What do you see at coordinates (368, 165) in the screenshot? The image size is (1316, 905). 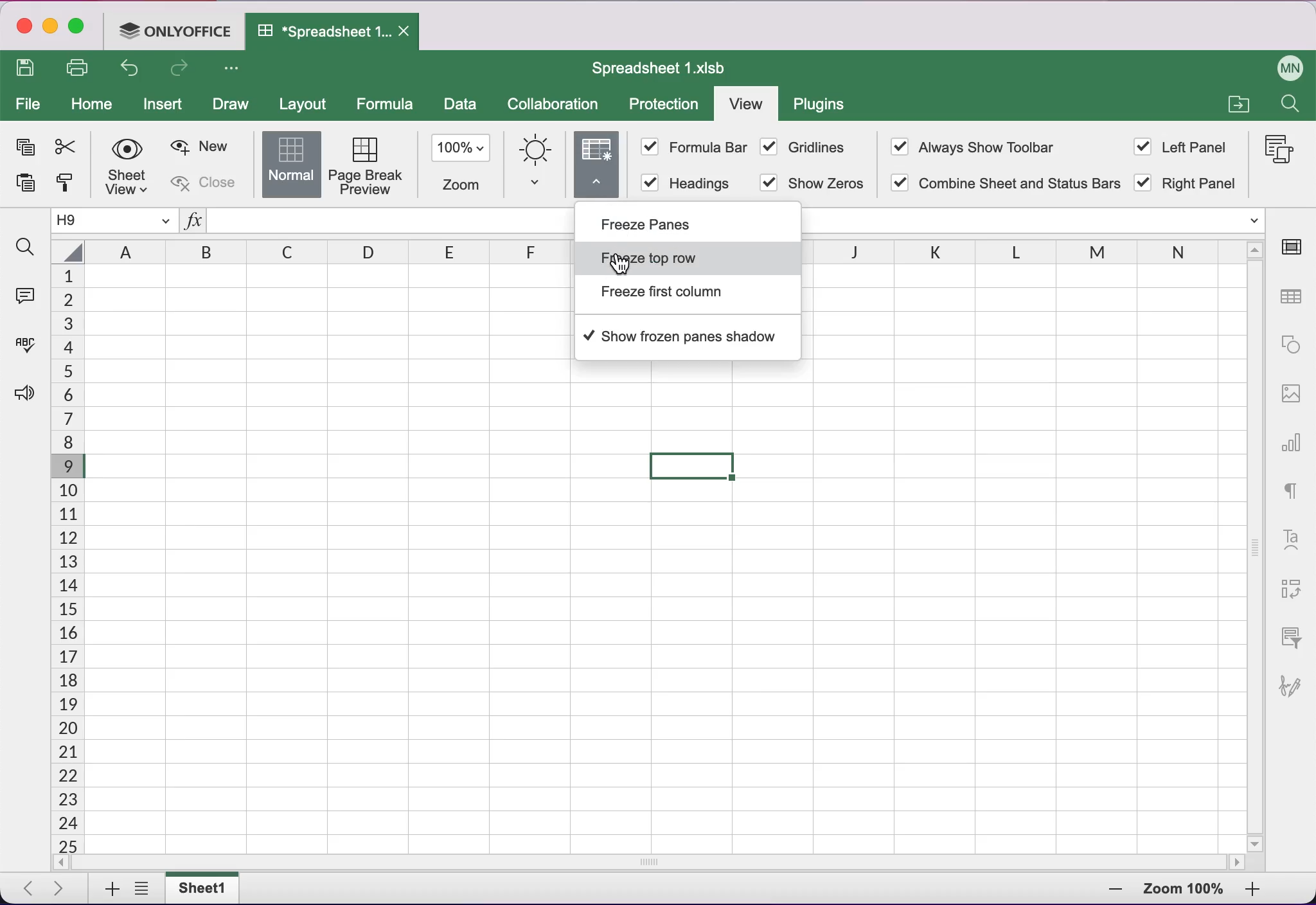 I see `page break preview` at bounding box center [368, 165].